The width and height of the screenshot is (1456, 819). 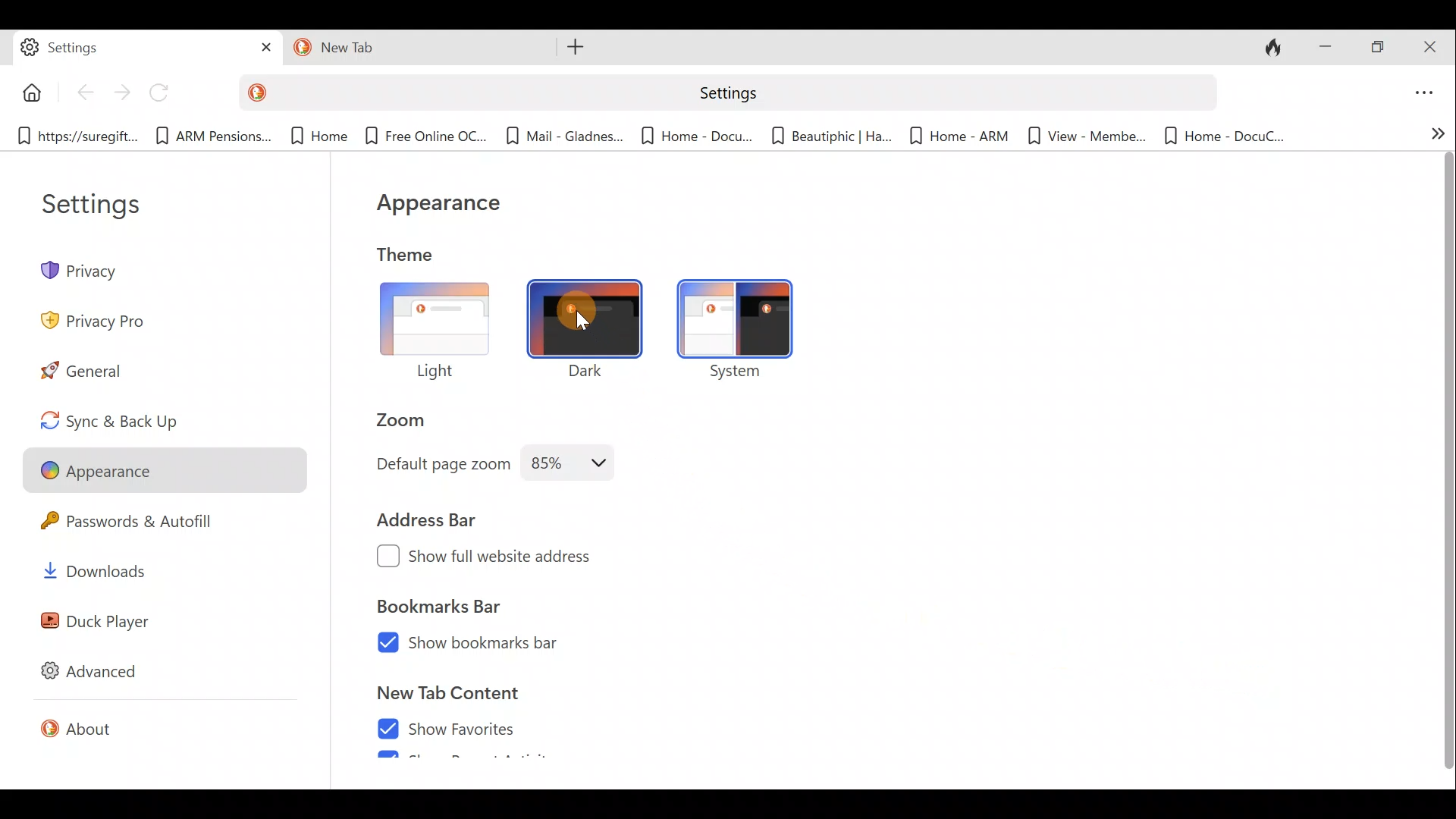 What do you see at coordinates (106, 202) in the screenshot?
I see `Settings` at bounding box center [106, 202].